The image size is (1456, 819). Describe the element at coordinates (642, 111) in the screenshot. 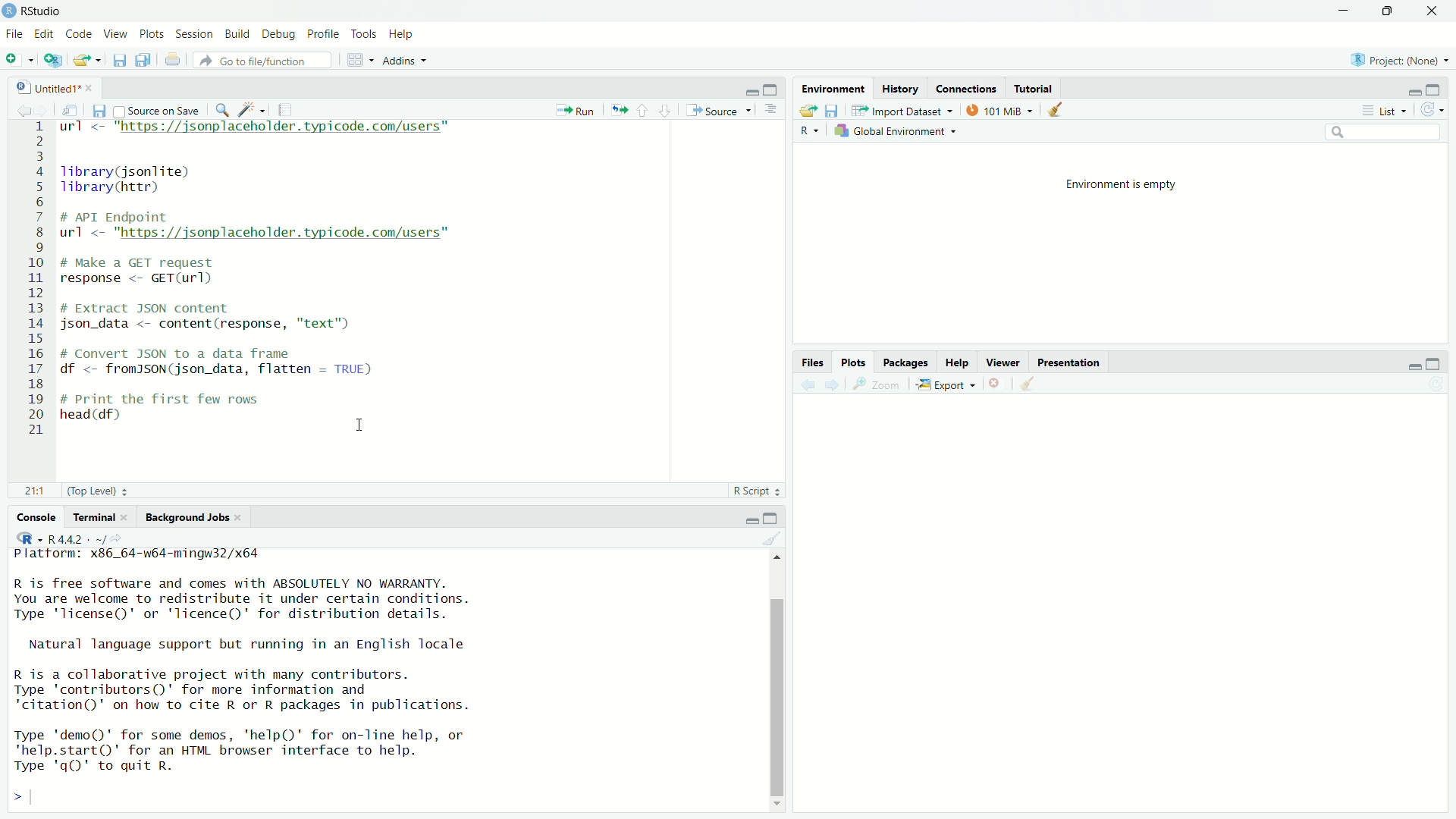

I see `Go to previous section` at that location.